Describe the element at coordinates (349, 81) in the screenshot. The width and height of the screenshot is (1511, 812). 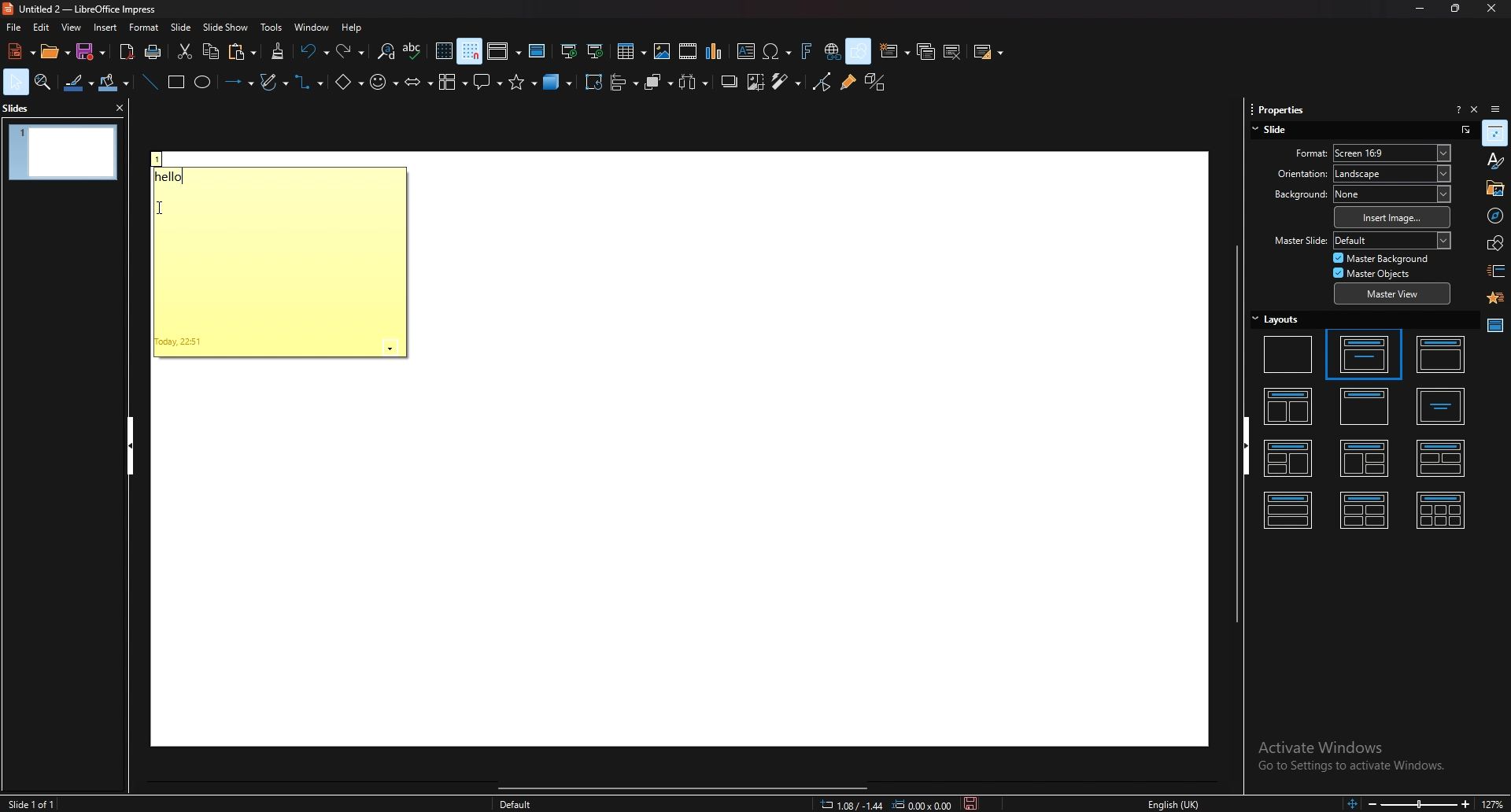
I see `basic shapes` at that location.